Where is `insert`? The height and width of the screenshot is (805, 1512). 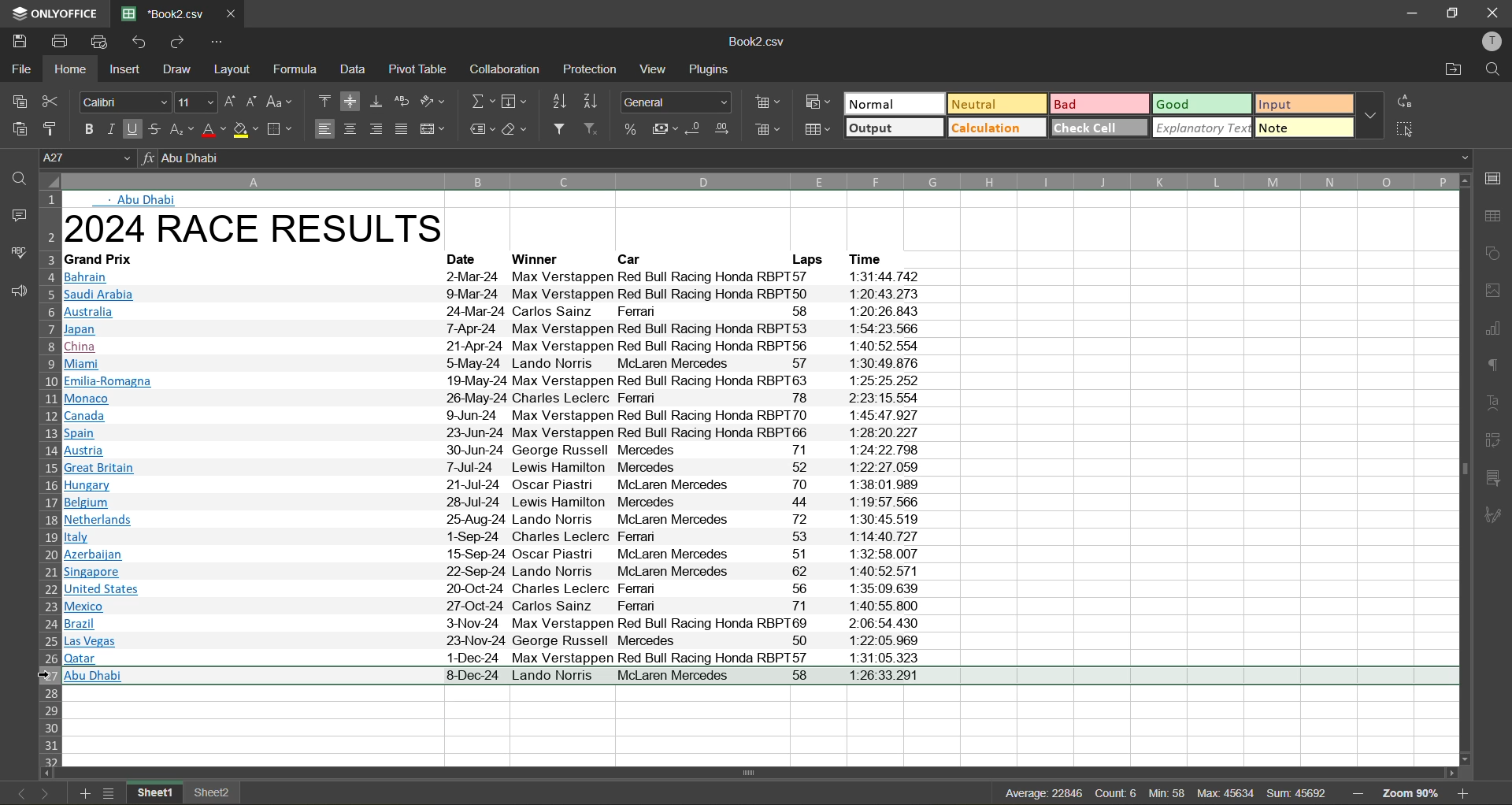
insert is located at coordinates (127, 72).